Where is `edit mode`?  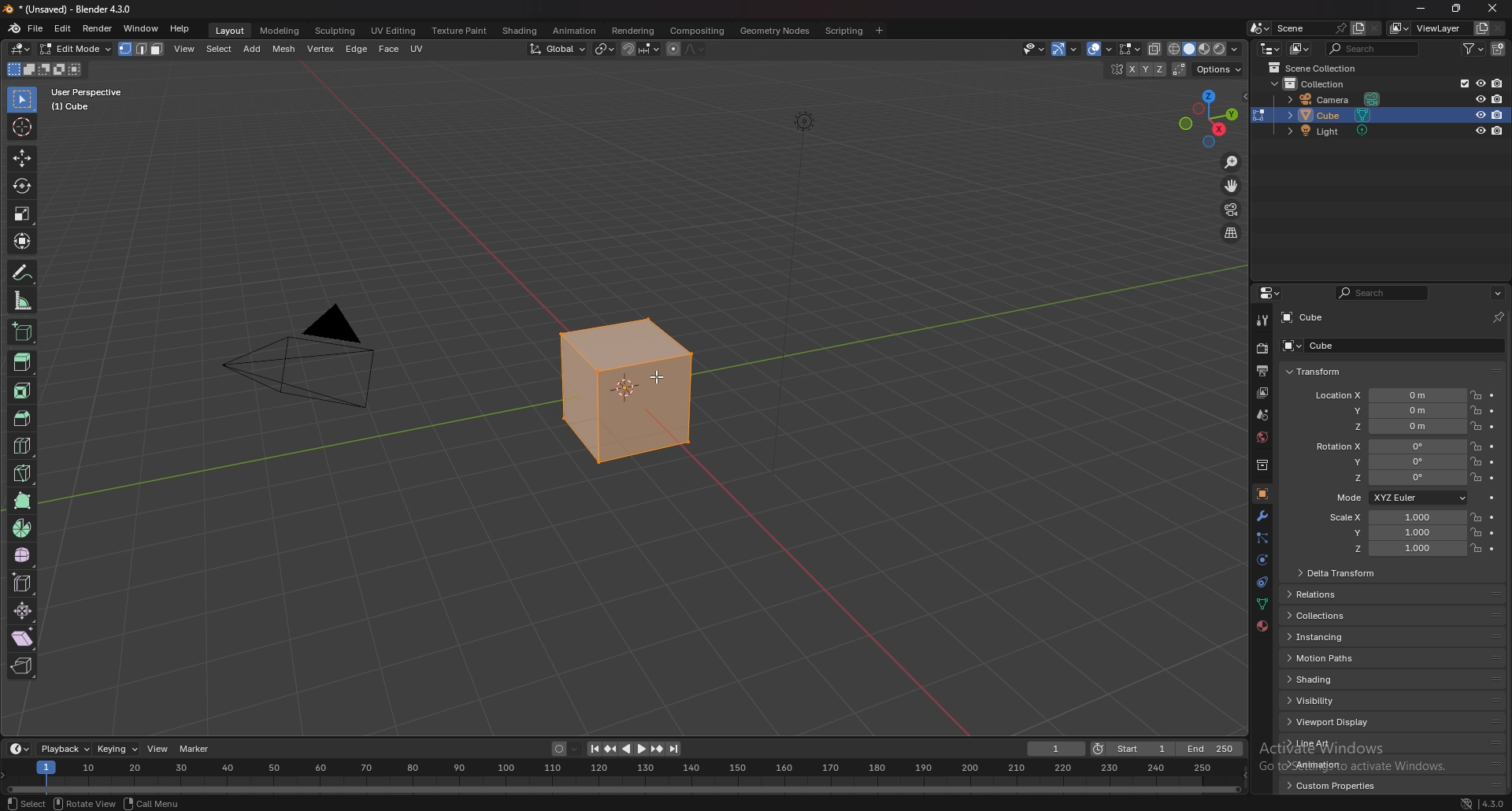 edit mode is located at coordinates (75, 48).